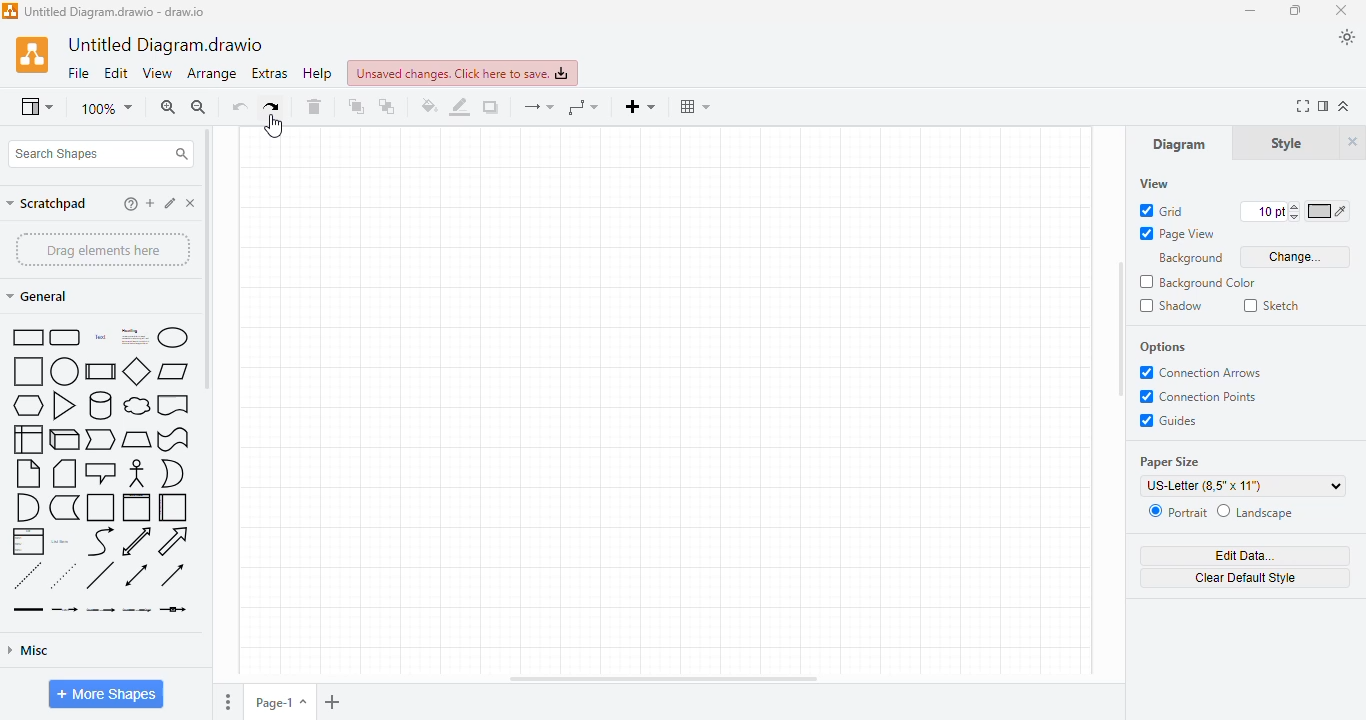  I want to click on rounded rectangle, so click(66, 337).